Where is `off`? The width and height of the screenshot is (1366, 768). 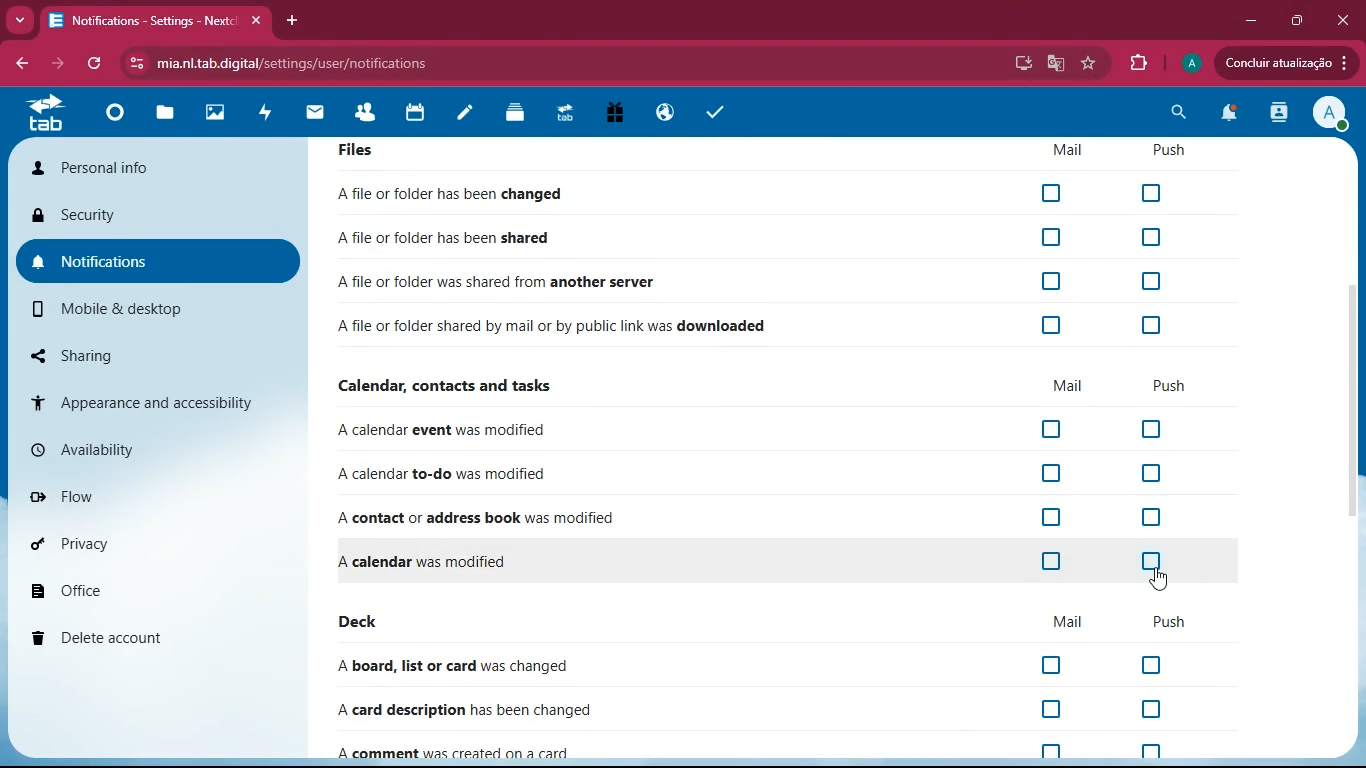 off is located at coordinates (1054, 430).